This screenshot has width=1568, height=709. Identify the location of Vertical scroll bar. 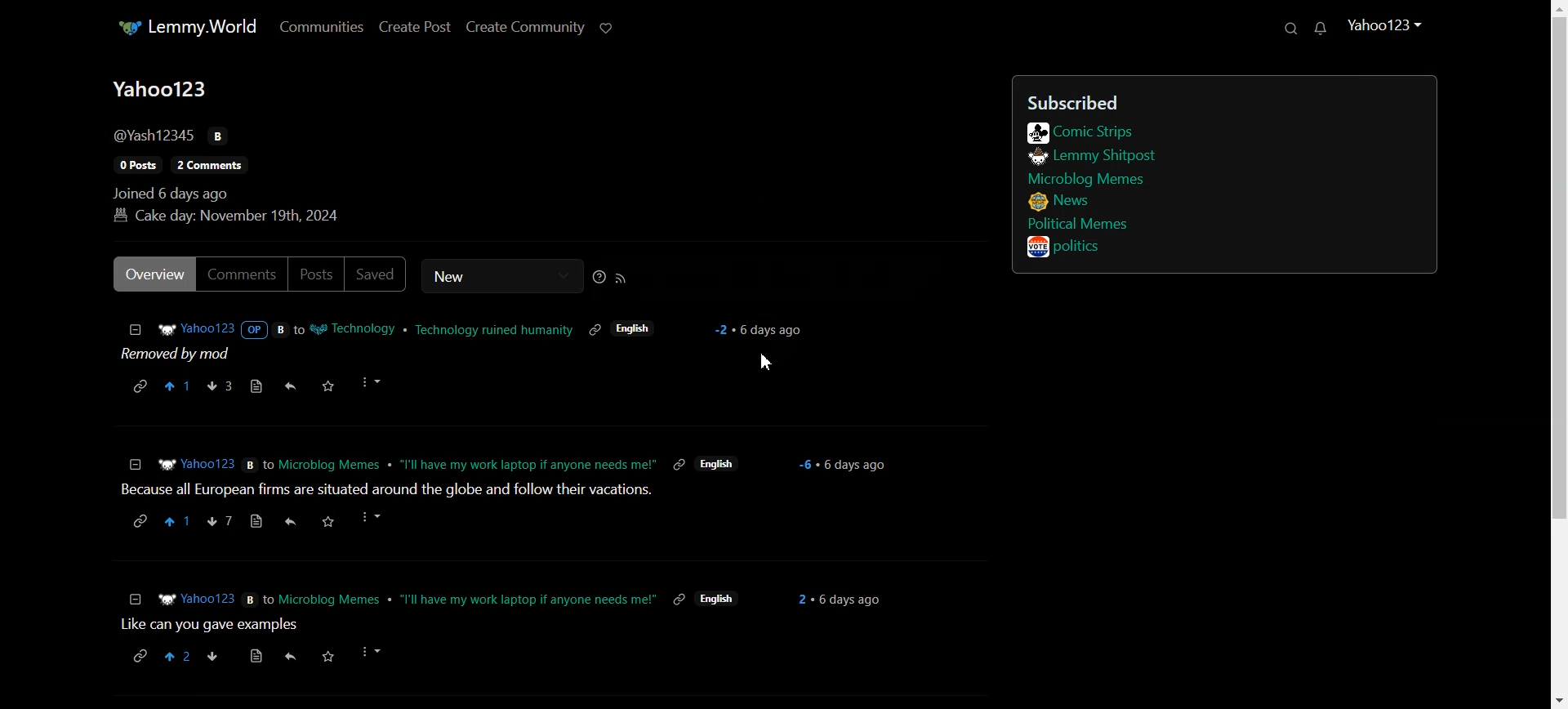
(1557, 354).